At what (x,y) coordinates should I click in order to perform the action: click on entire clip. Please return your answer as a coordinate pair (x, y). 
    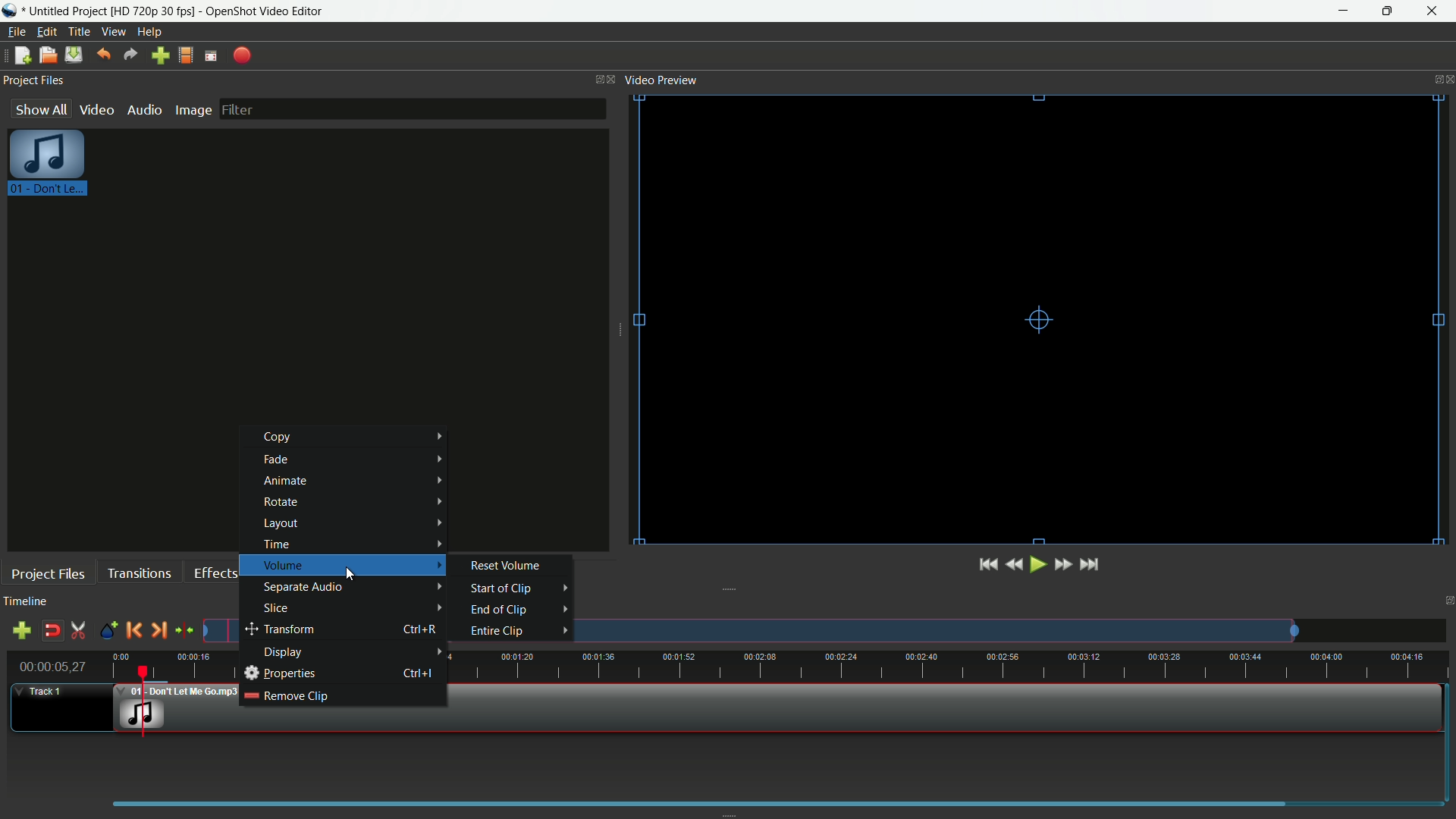
    Looking at the image, I should click on (495, 632).